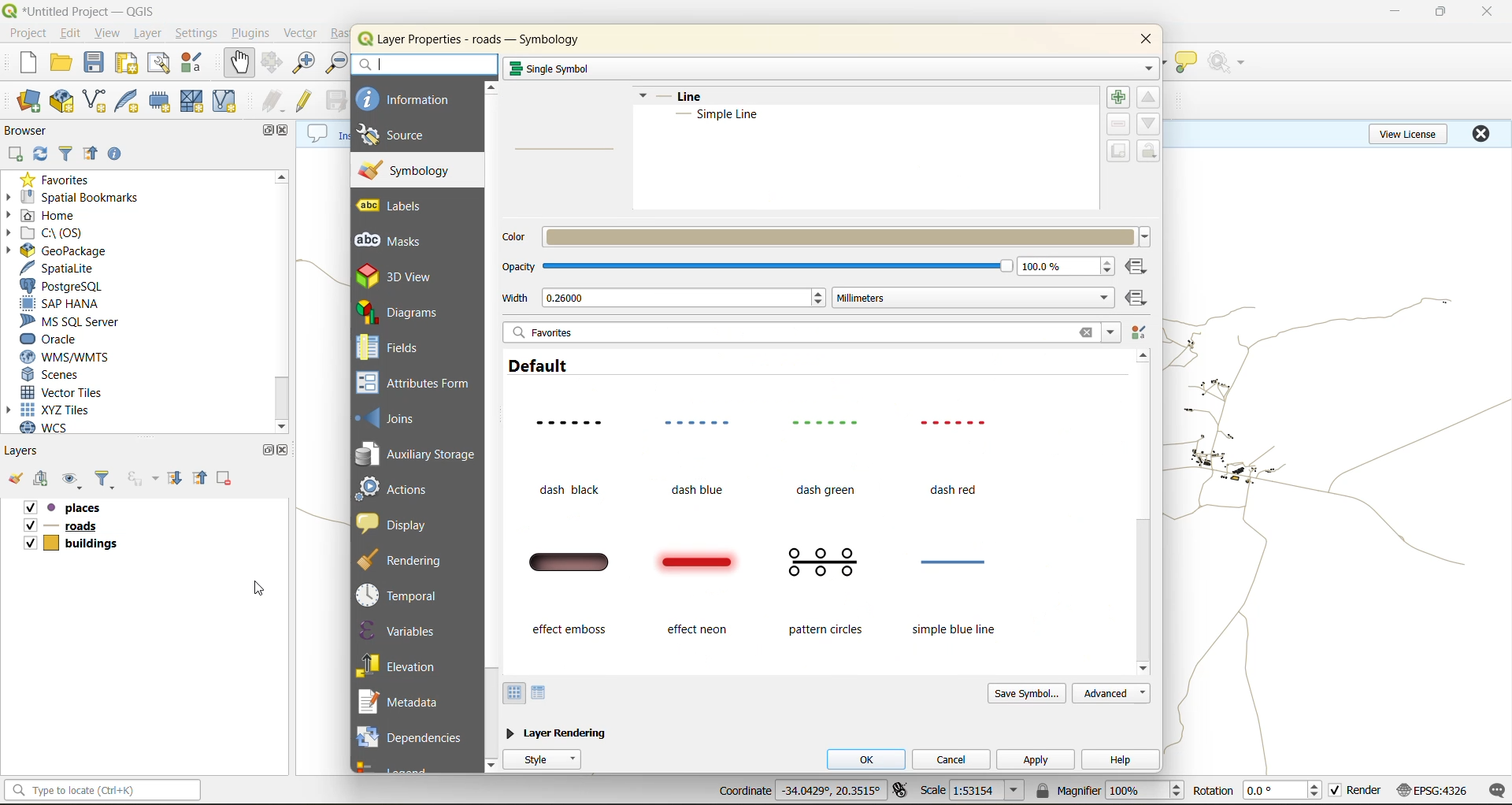 The height and width of the screenshot is (805, 1512). Describe the element at coordinates (65, 374) in the screenshot. I see `scenes` at that location.